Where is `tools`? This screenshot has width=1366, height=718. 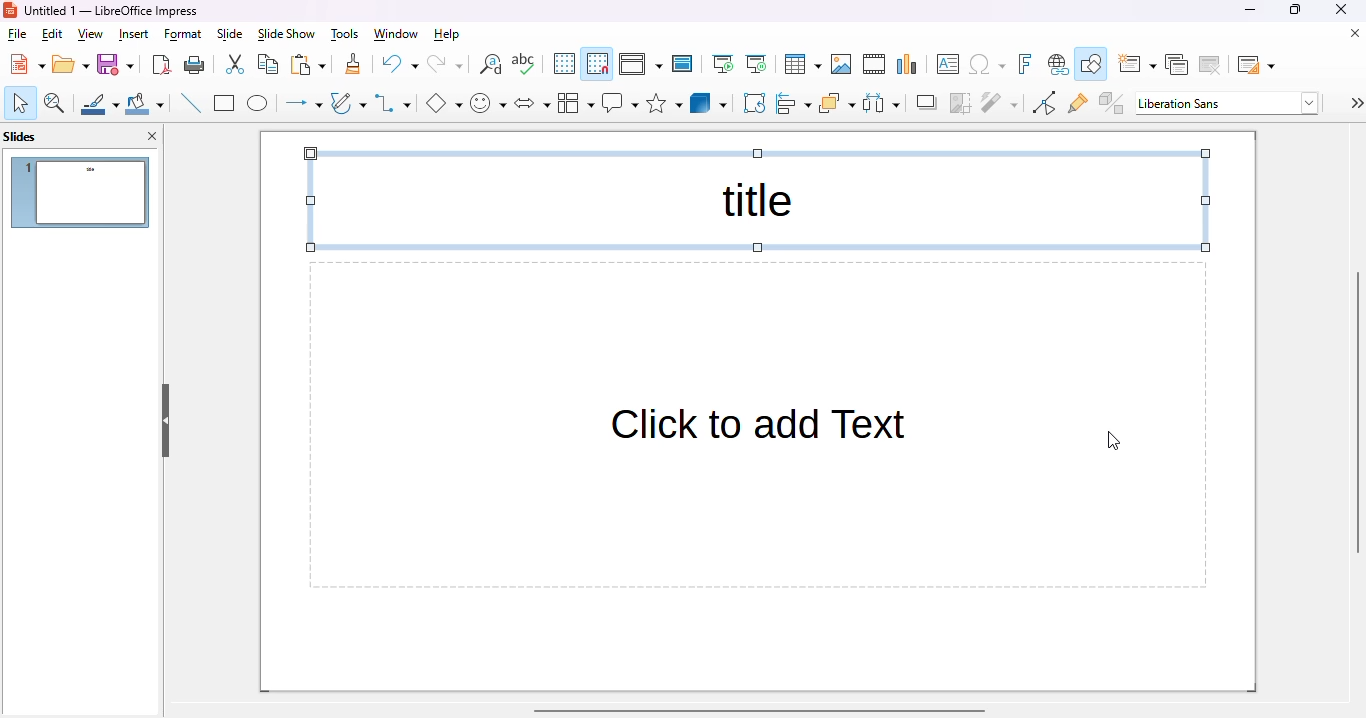 tools is located at coordinates (345, 35).